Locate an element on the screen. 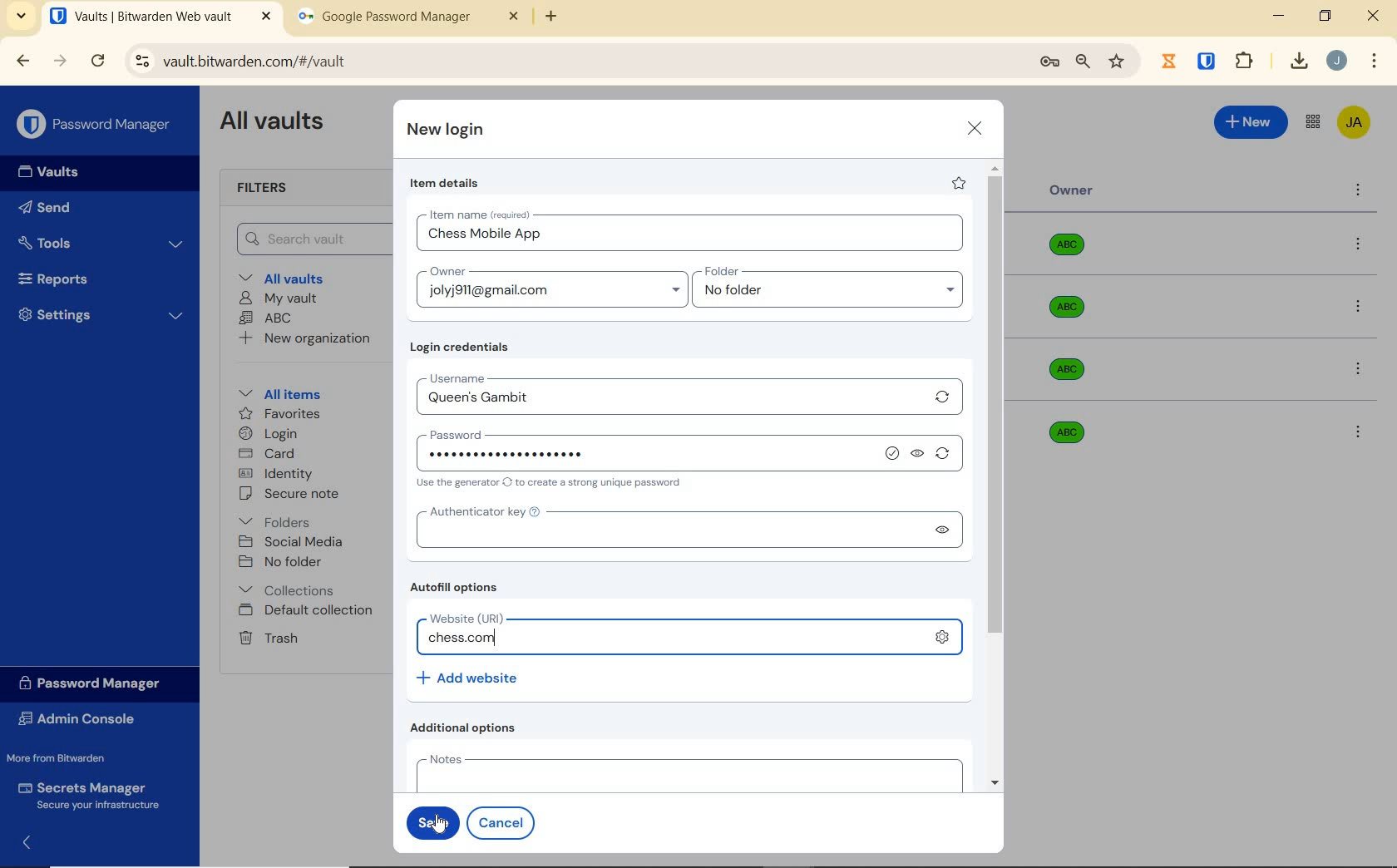  Trash is located at coordinates (265, 637).